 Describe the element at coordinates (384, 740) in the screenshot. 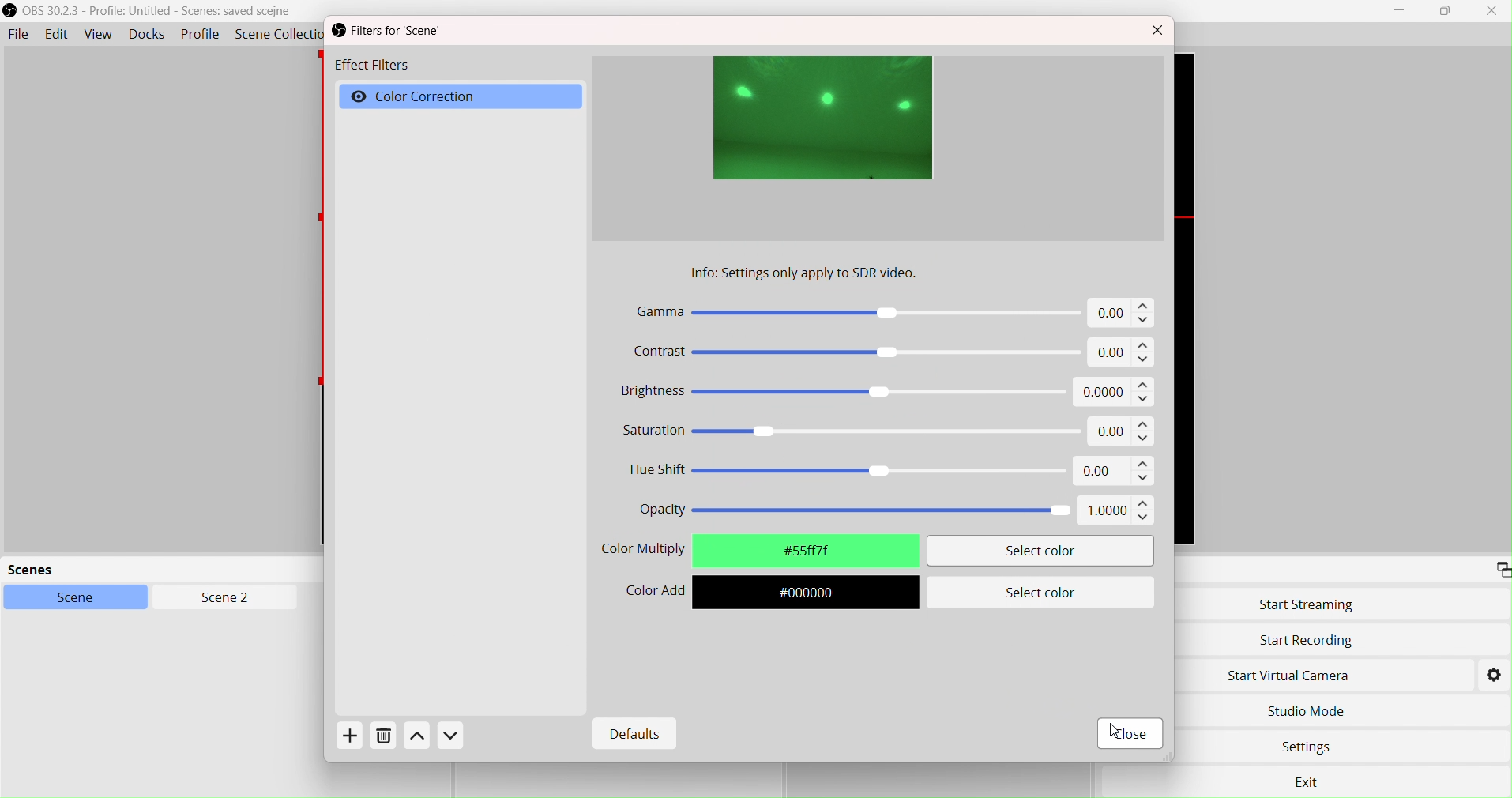

I see `Delete` at that location.